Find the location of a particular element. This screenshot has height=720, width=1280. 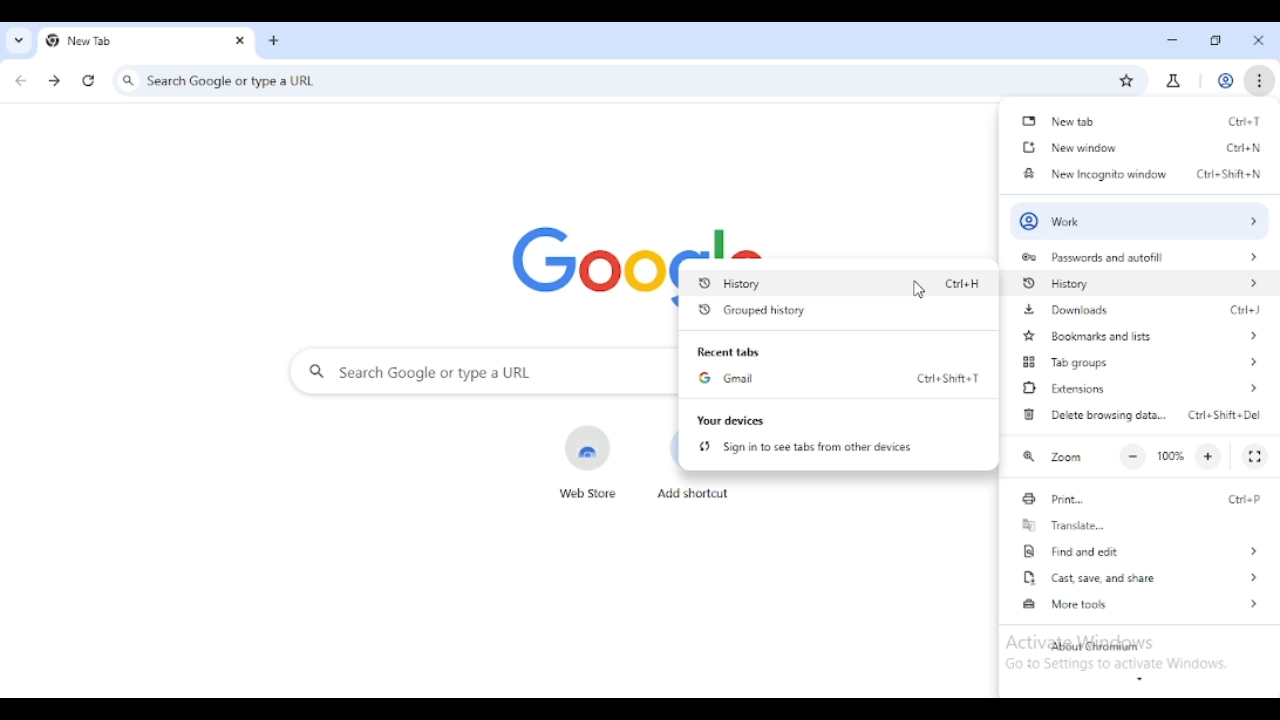

search labs is located at coordinates (1172, 82).